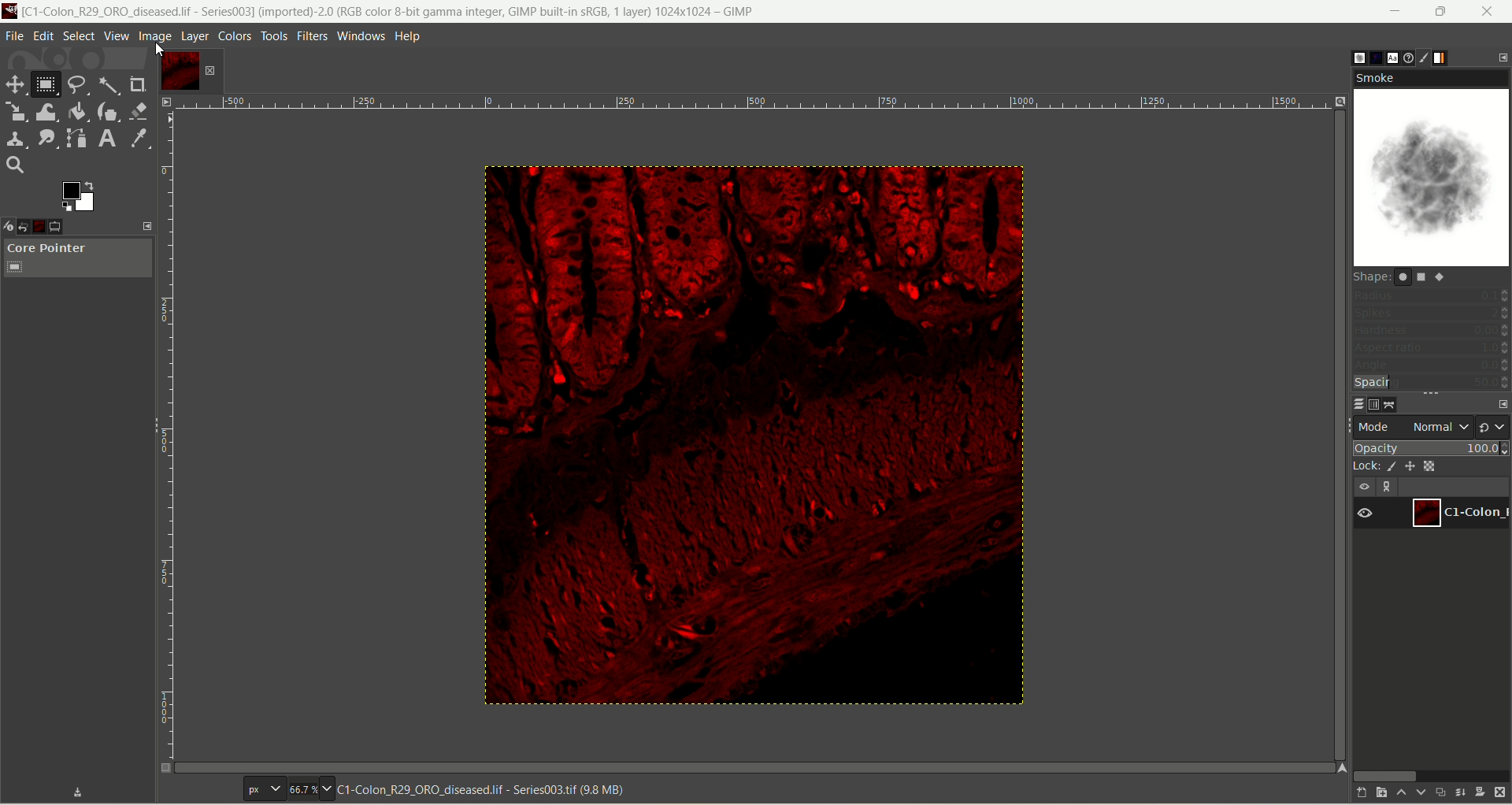 This screenshot has width=1512, height=805. Describe the element at coordinates (77, 112) in the screenshot. I see `paint bucket` at that location.